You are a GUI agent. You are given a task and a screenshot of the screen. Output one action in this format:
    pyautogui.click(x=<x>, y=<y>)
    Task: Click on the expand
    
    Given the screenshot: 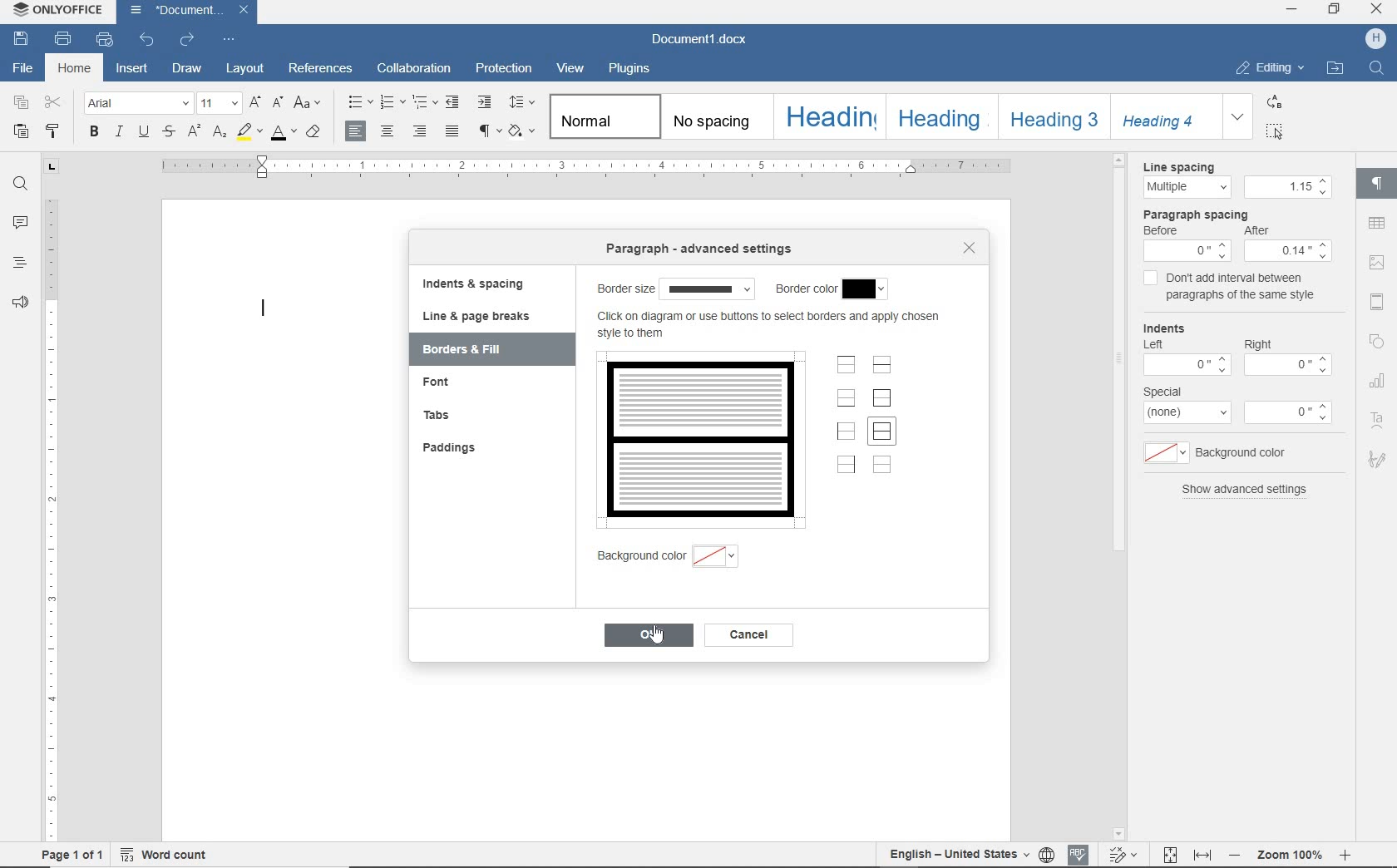 What is the action you would take?
    pyautogui.click(x=1237, y=116)
    